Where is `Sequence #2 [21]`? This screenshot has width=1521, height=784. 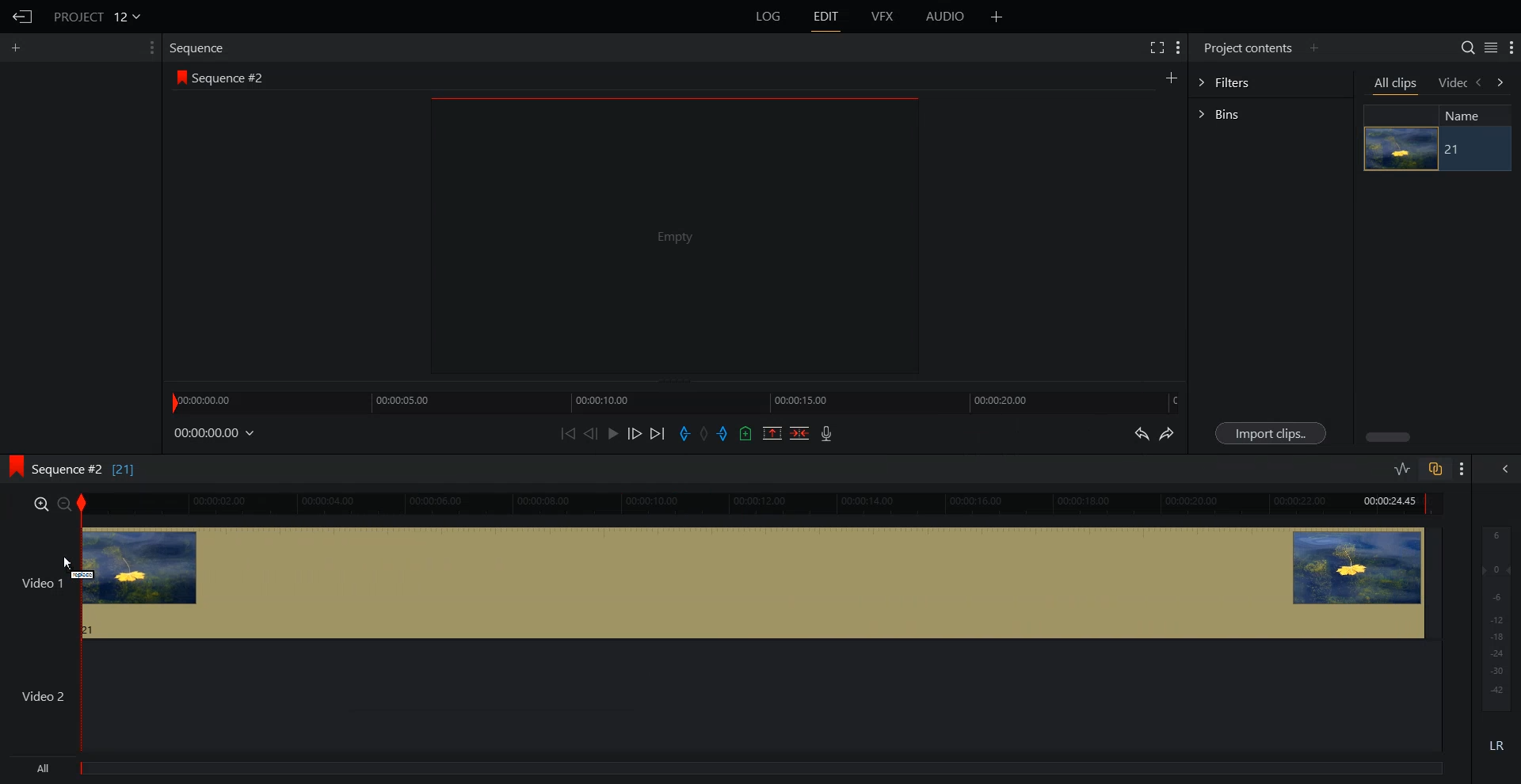
Sequence #2 [21] is located at coordinates (87, 467).